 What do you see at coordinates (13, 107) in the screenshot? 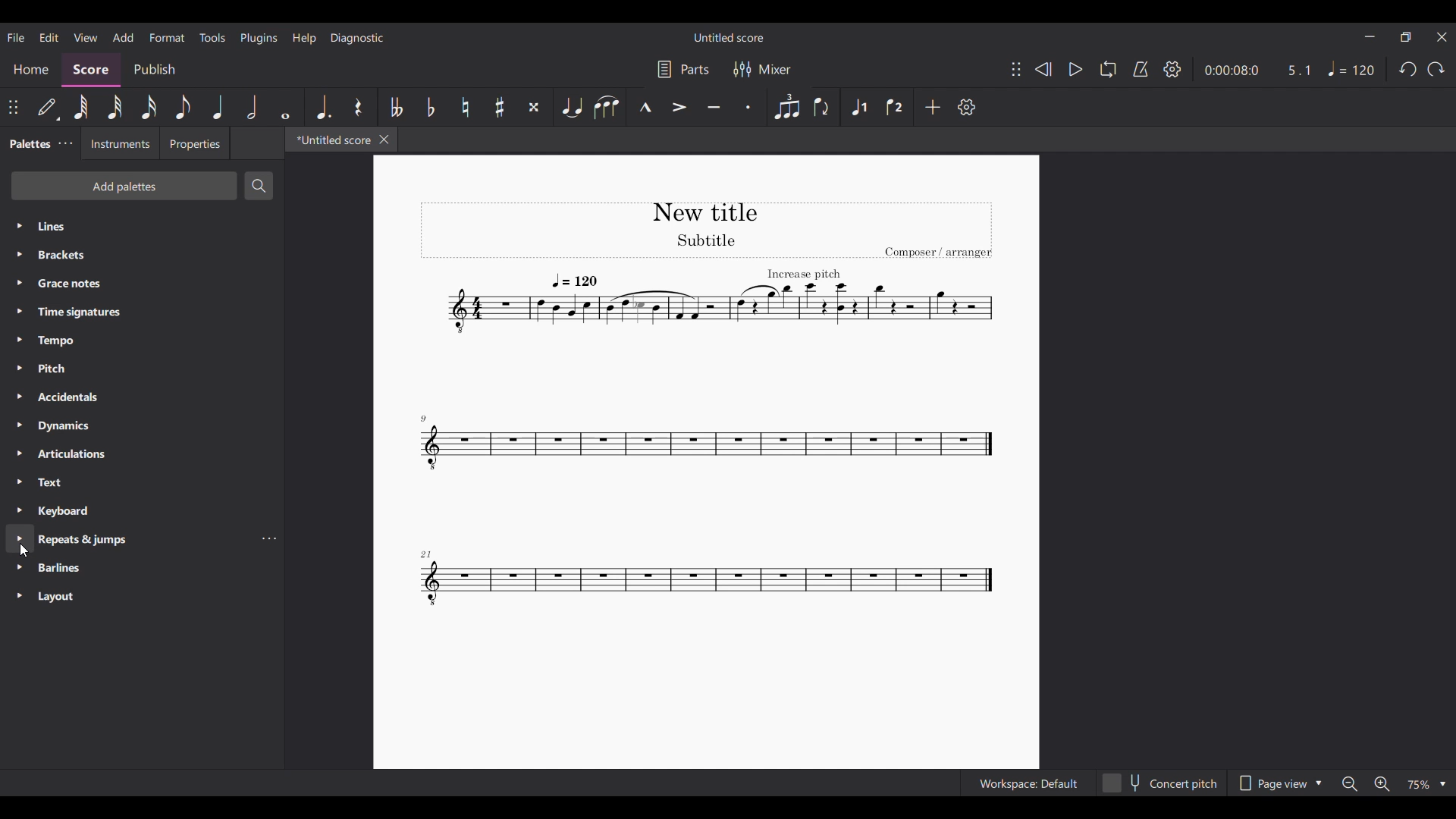
I see `Change position` at bounding box center [13, 107].